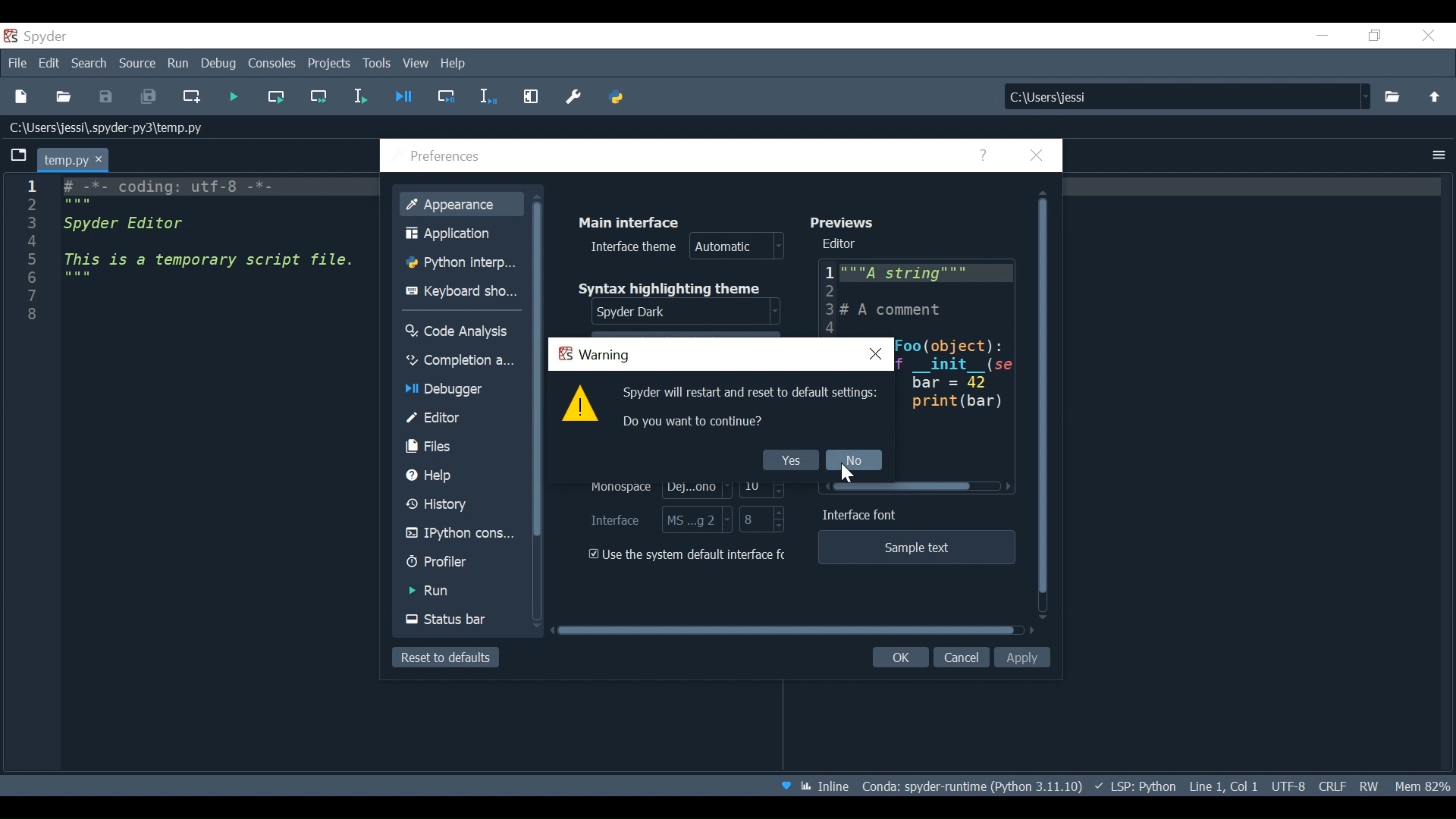 Image resolution: width=1456 pixels, height=819 pixels. What do you see at coordinates (630, 222) in the screenshot?
I see `Main interface` at bounding box center [630, 222].